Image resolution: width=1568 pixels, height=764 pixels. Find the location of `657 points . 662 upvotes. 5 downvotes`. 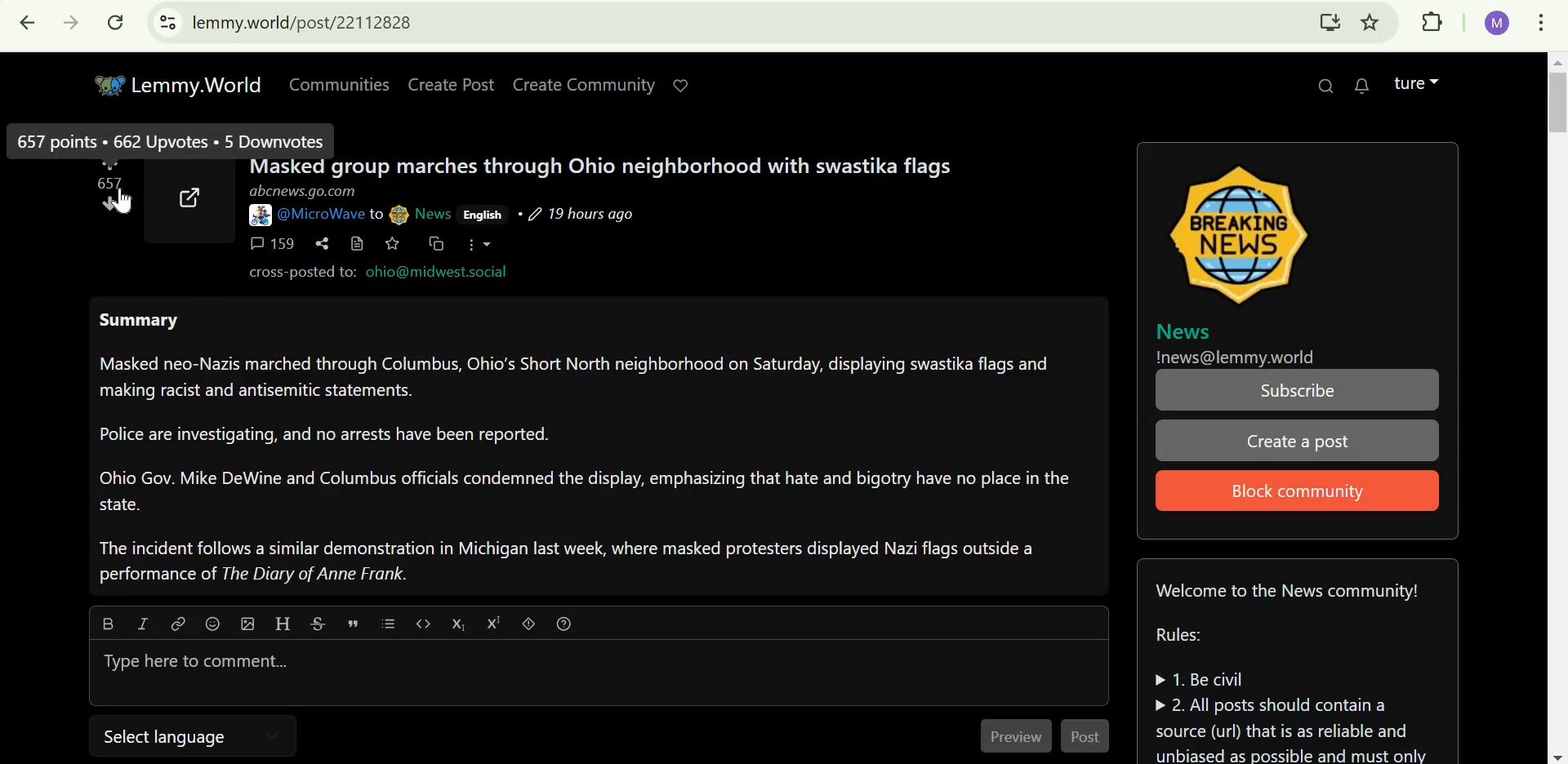

657 points . 662 upvotes. 5 downvotes is located at coordinates (169, 140).